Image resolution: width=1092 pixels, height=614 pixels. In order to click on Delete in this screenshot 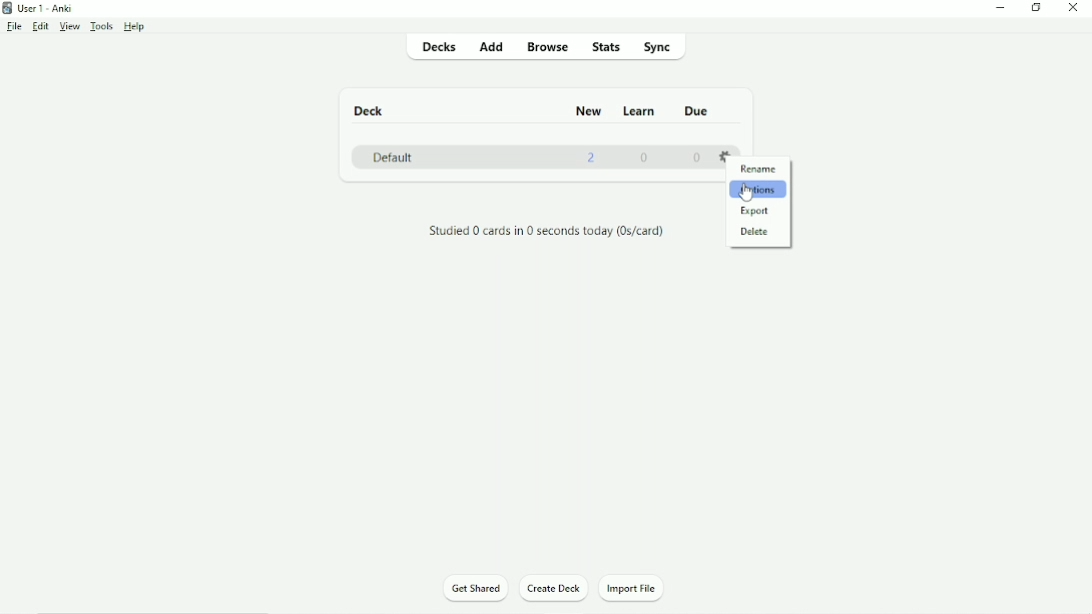, I will do `click(760, 231)`.